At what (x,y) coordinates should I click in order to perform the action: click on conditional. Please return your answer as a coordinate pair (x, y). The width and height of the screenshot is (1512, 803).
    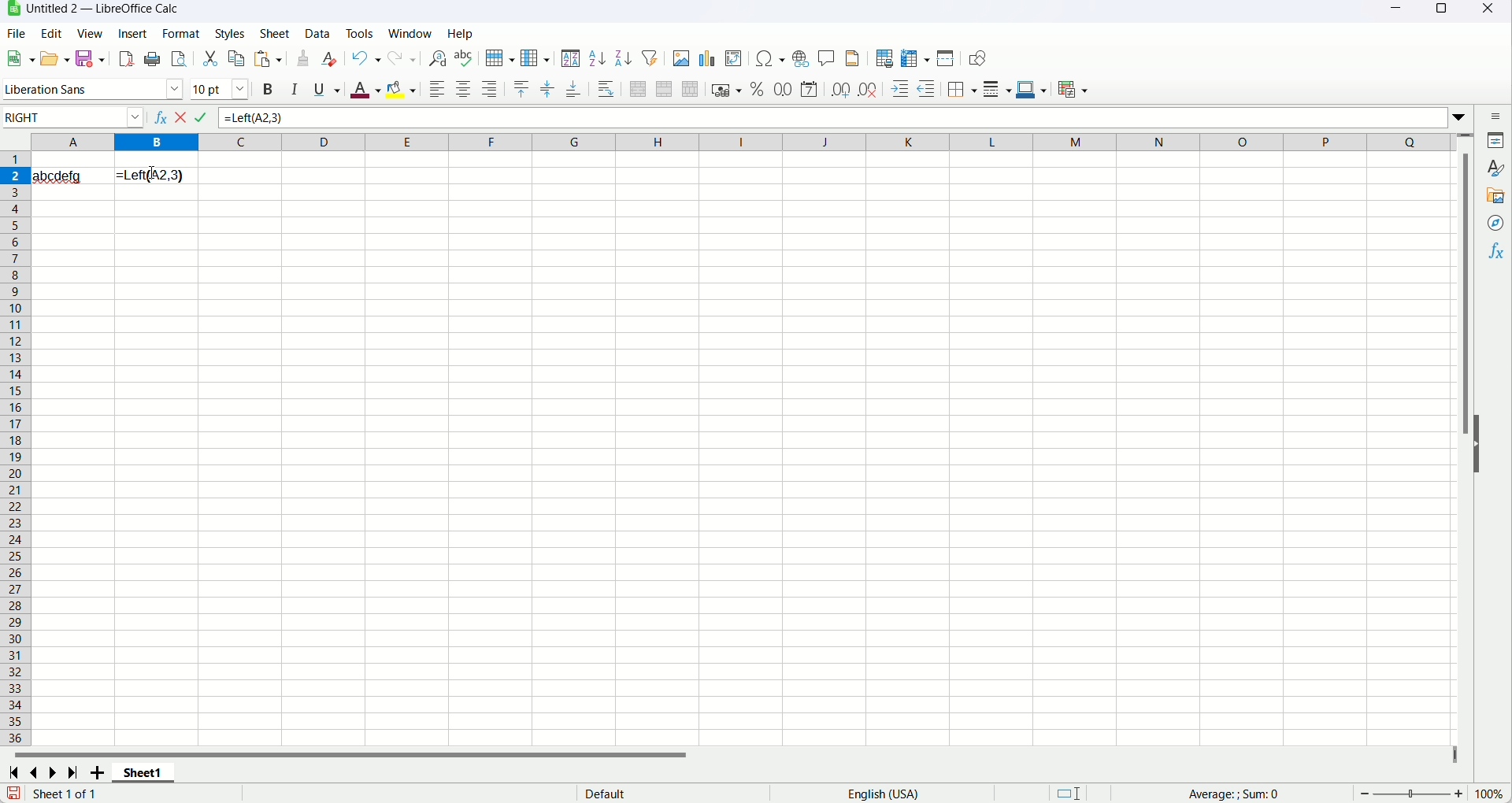
    Looking at the image, I should click on (1073, 91).